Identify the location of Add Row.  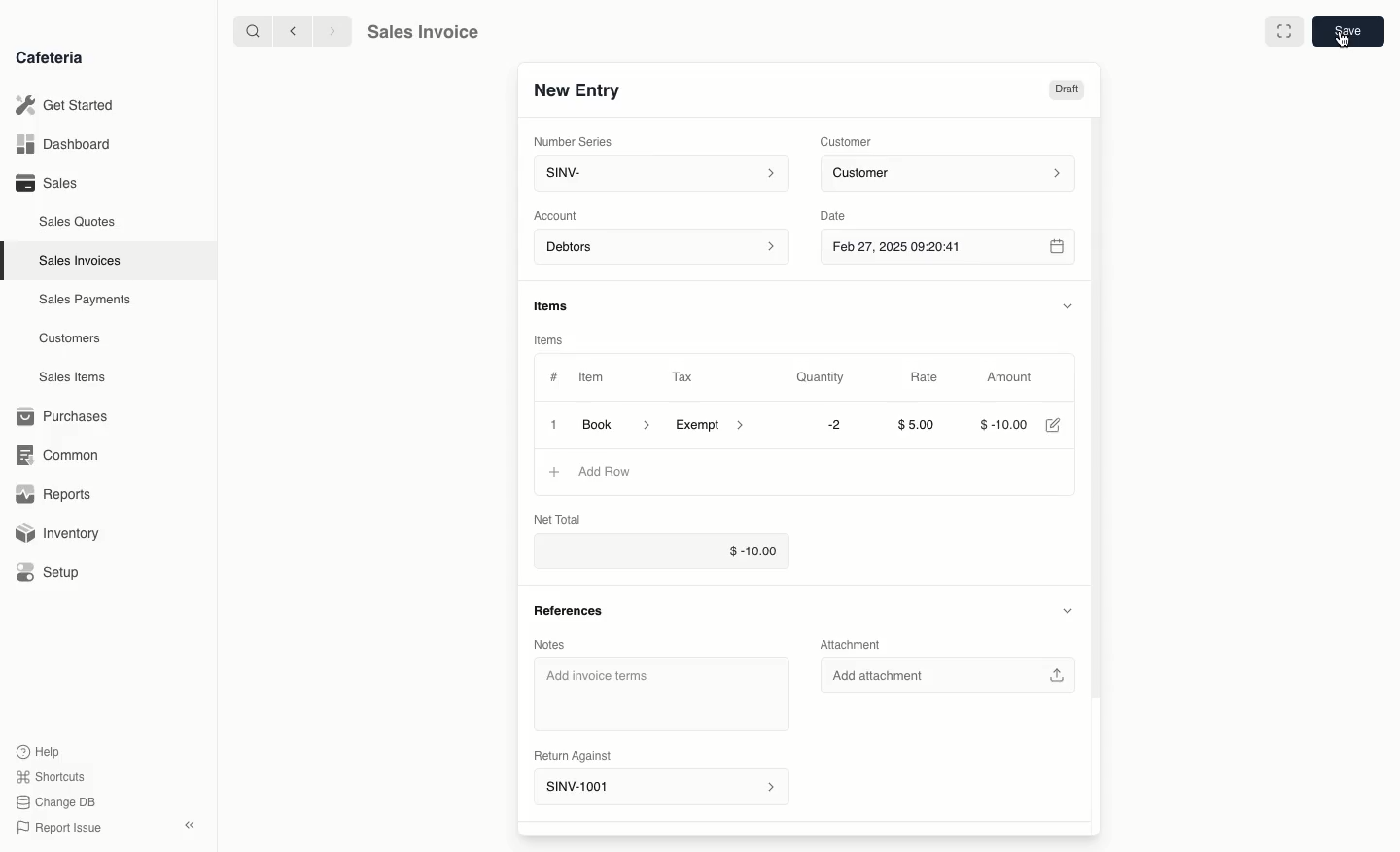
(599, 472).